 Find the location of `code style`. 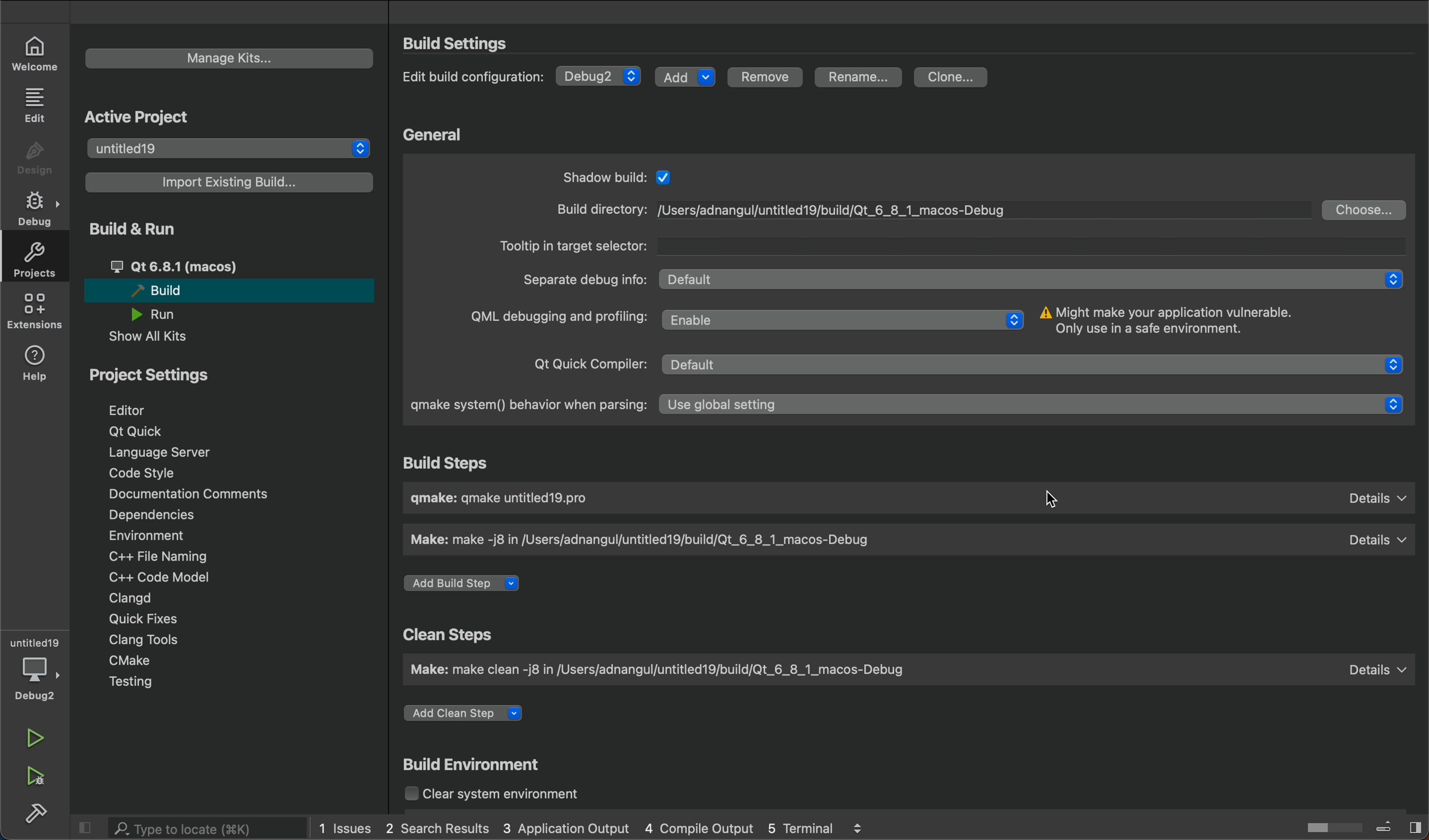

code style is located at coordinates (147, 473).